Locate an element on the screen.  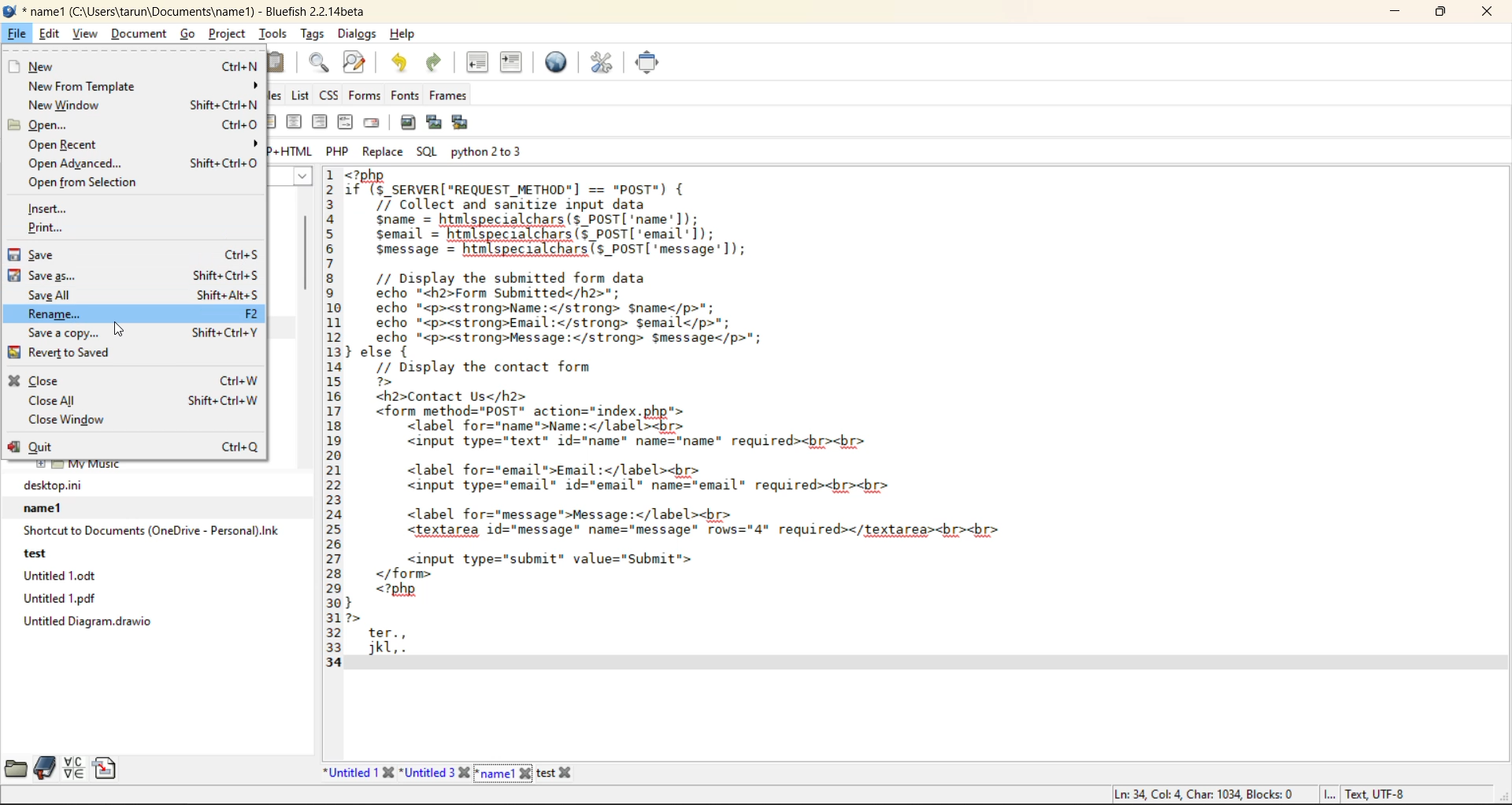
line number is located at coordinates (332, 418).